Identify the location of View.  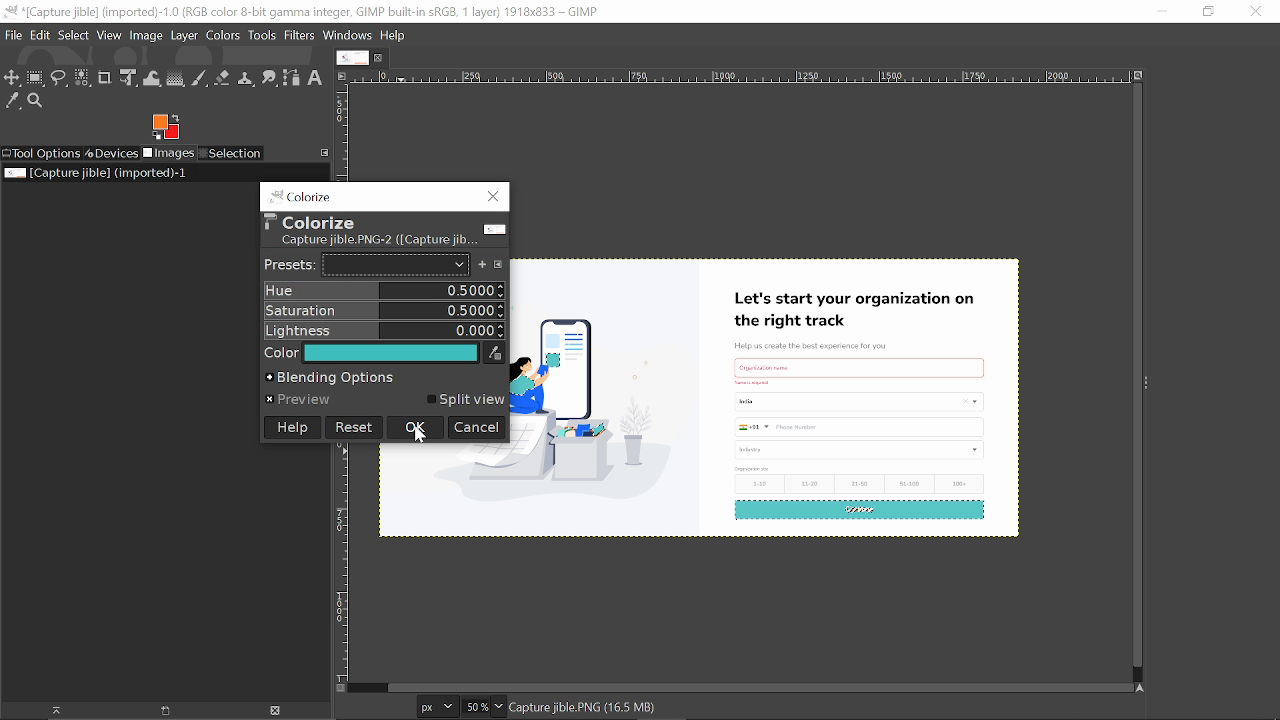
(110, 35).